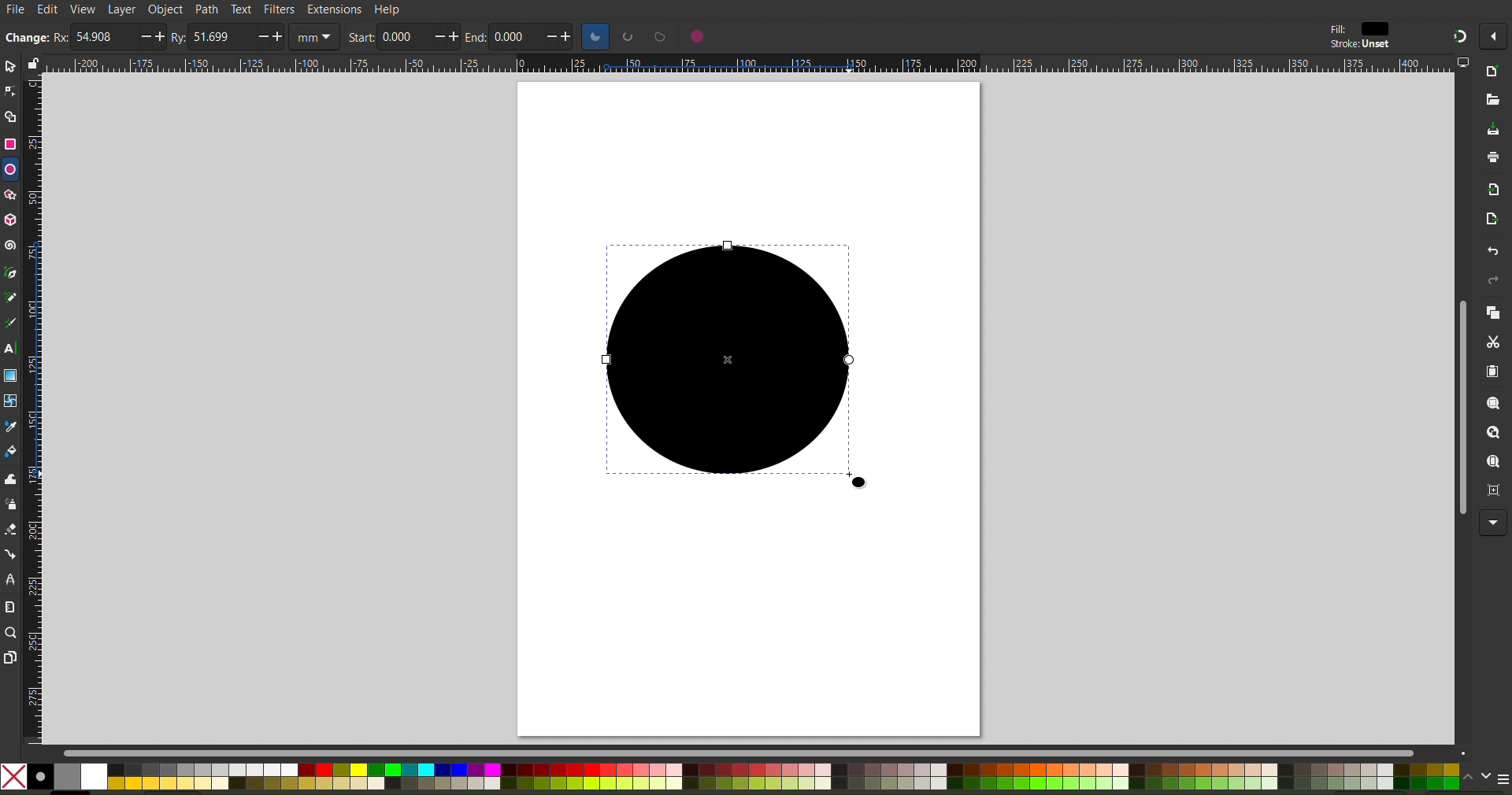  Describe the element at coordinates (1492, 159) in the screenshot. I see `Print` at that location.